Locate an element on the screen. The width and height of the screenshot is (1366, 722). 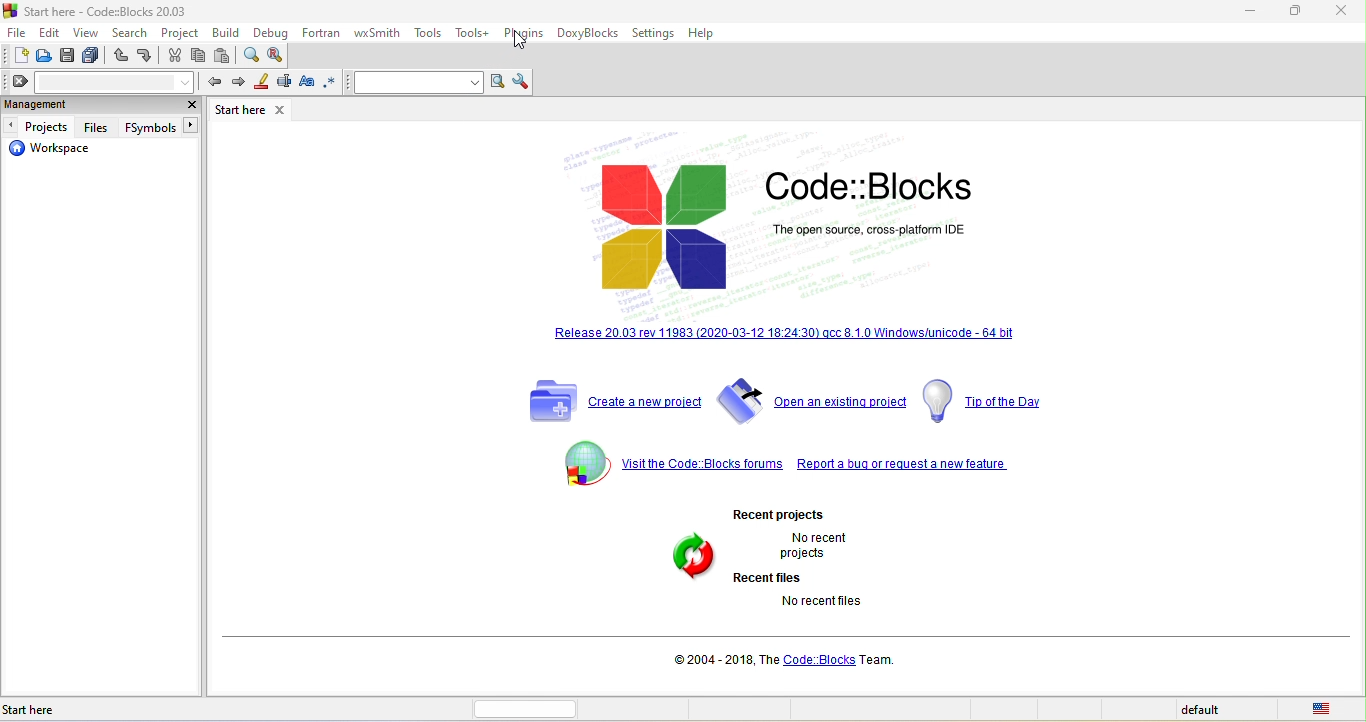
plugins is located at coordinates (526, 34).